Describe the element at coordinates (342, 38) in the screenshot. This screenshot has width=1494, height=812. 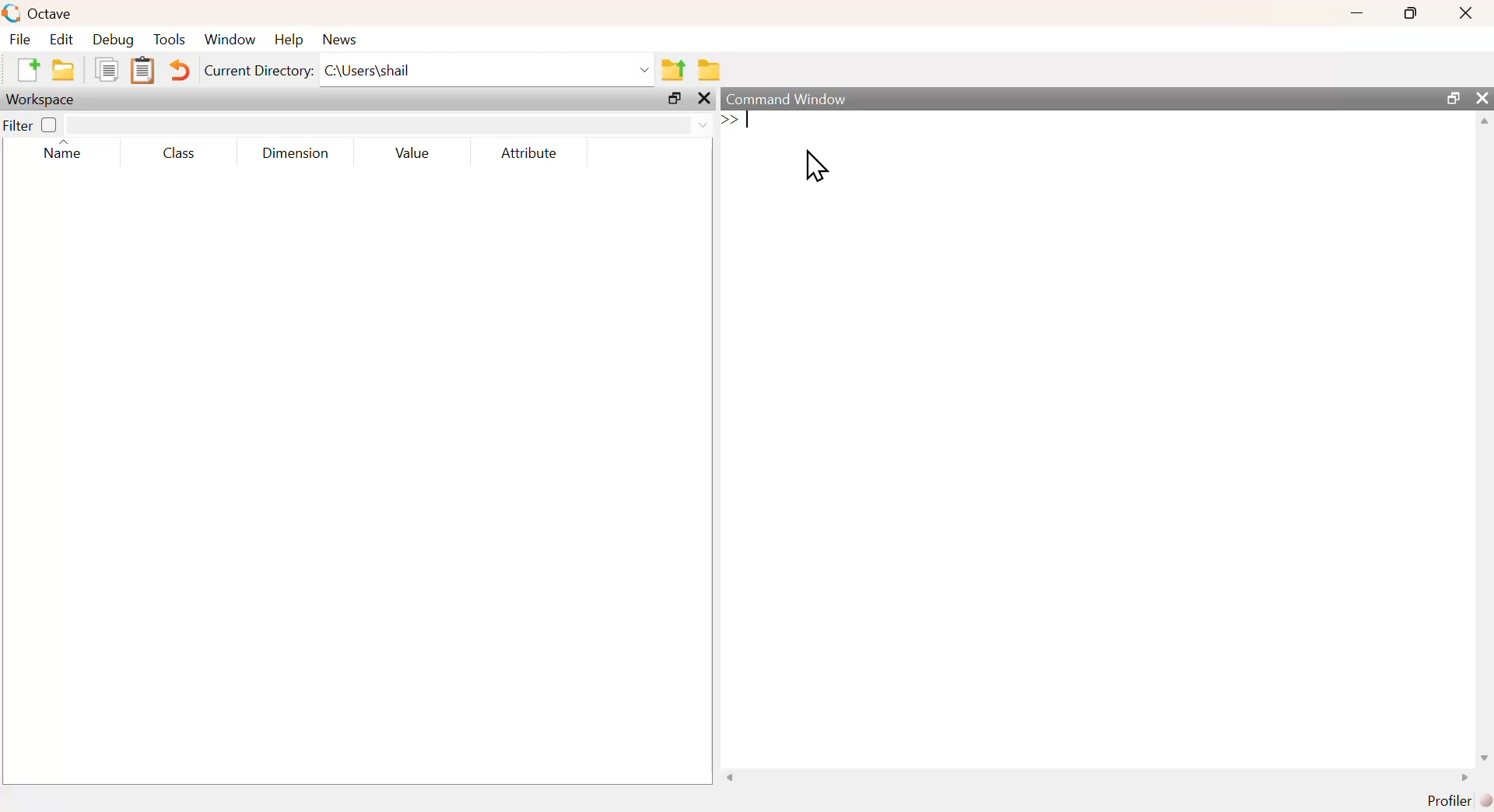
I see `news` at that location.